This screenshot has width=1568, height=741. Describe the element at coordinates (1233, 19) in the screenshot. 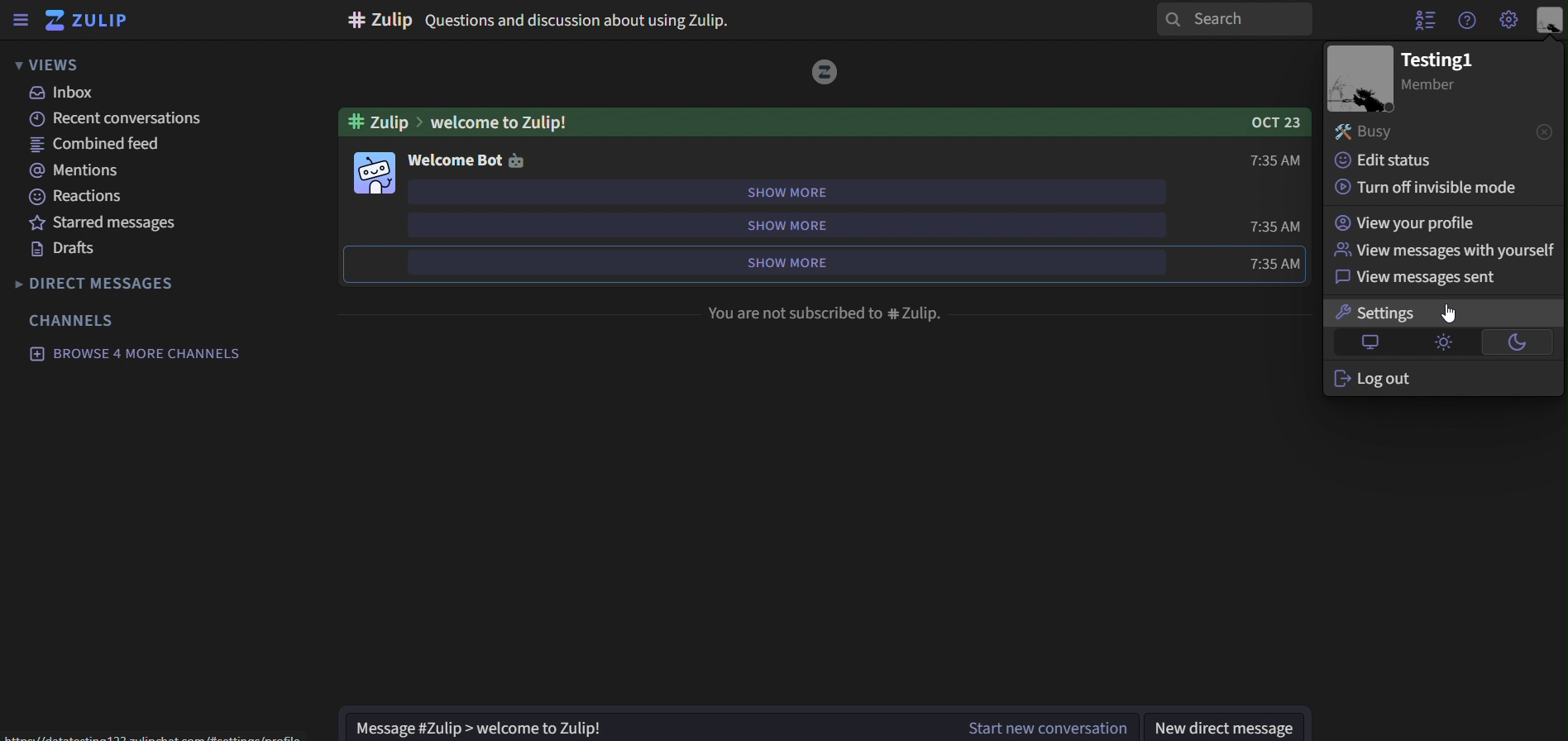

I see `search` at that location.